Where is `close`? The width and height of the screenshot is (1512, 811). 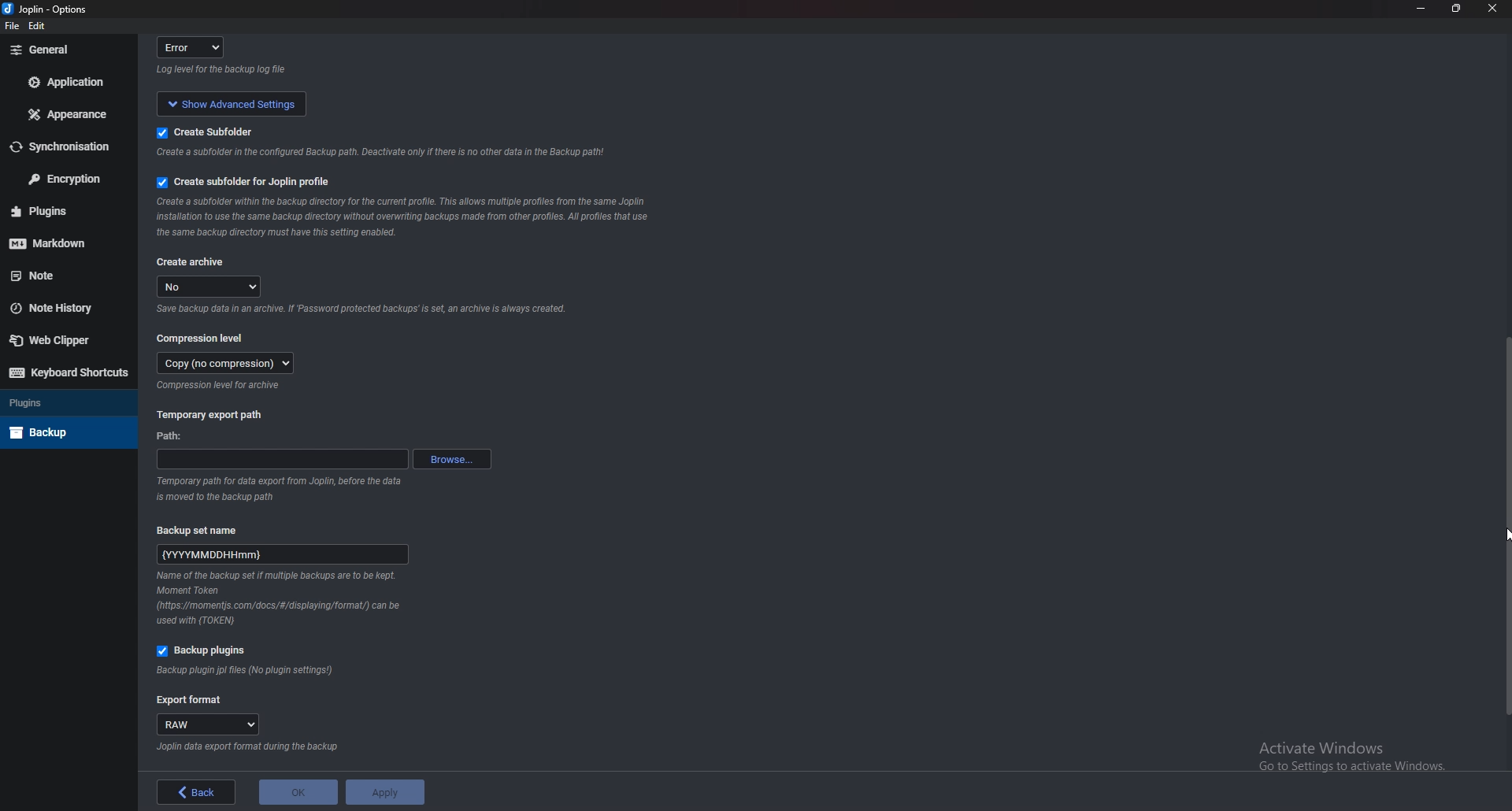
close is located at coordinates (1490, 12).